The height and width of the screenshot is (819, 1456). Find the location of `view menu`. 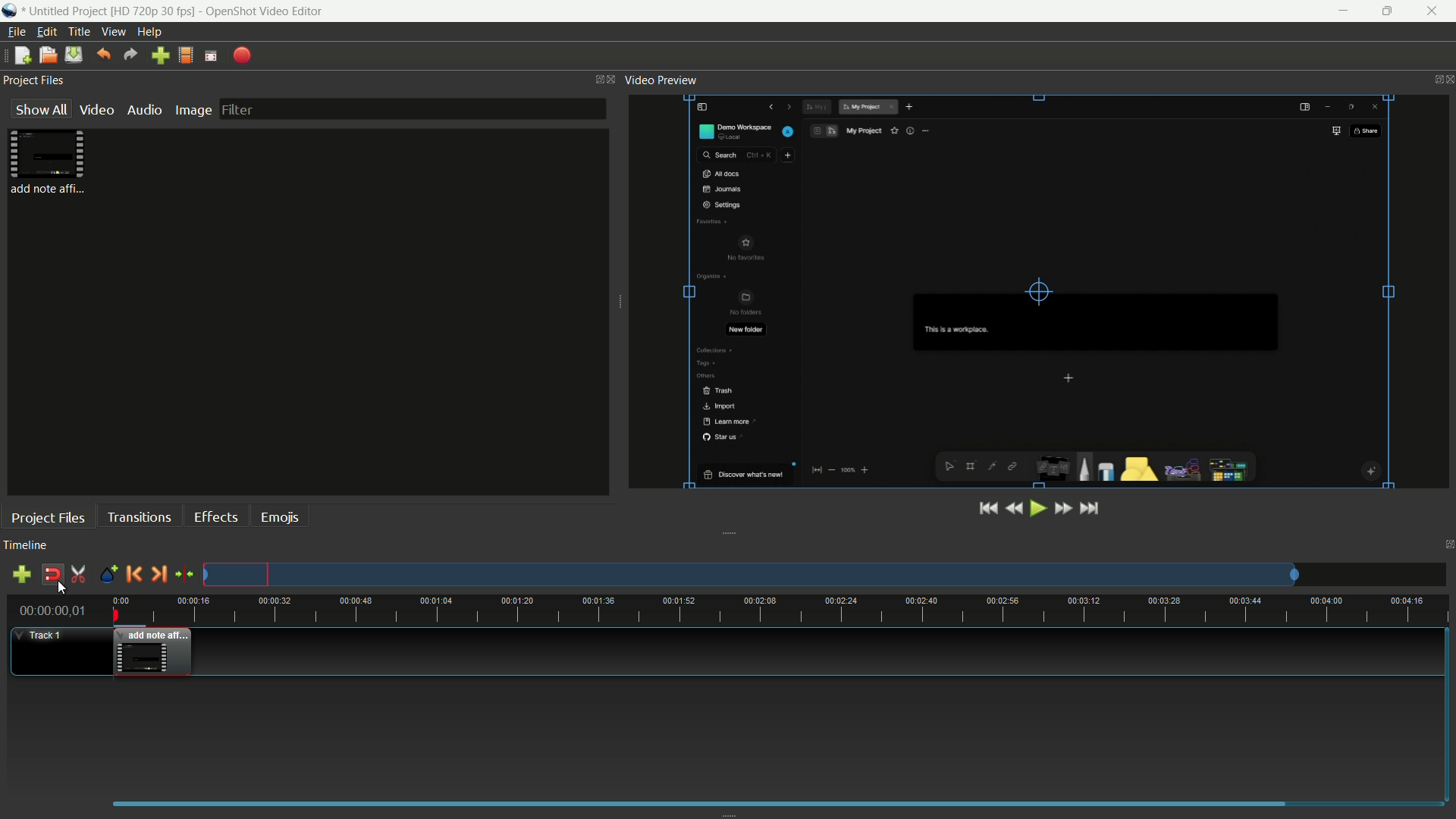

view menu is located at coordinates (112, 32).